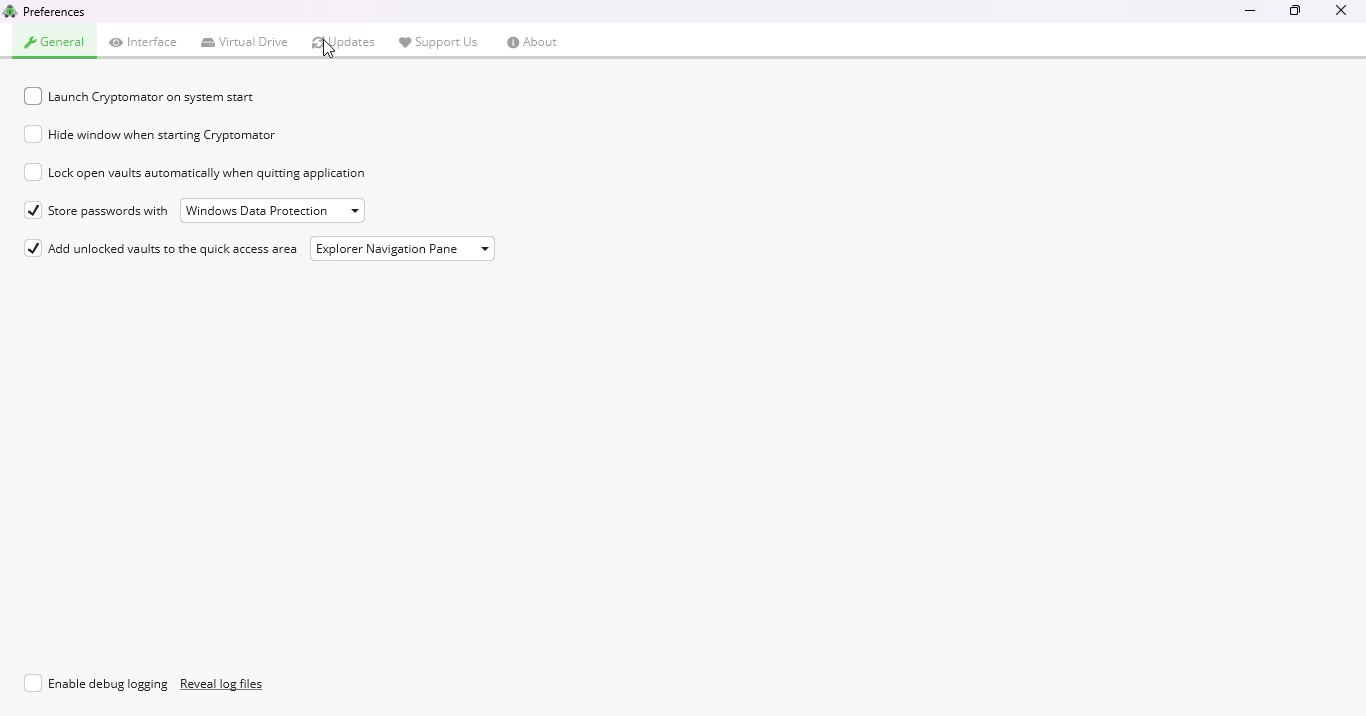 This screenshot has height=716, width=1366. Describe the element at coordinates (144, 41) in the screenshot. I see `interface` at that location.